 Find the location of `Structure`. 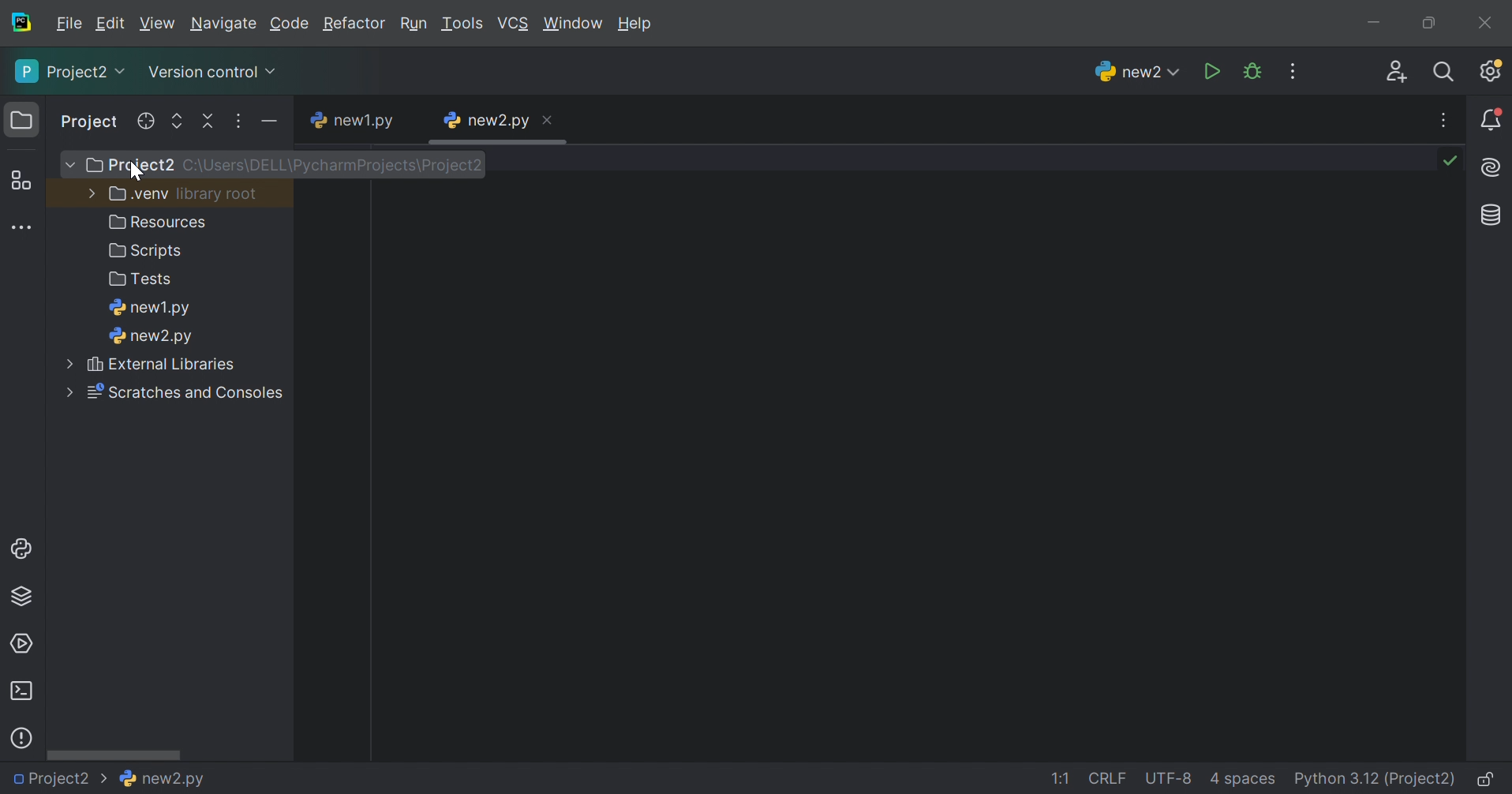

Structure is located at coordinates (20, 180).